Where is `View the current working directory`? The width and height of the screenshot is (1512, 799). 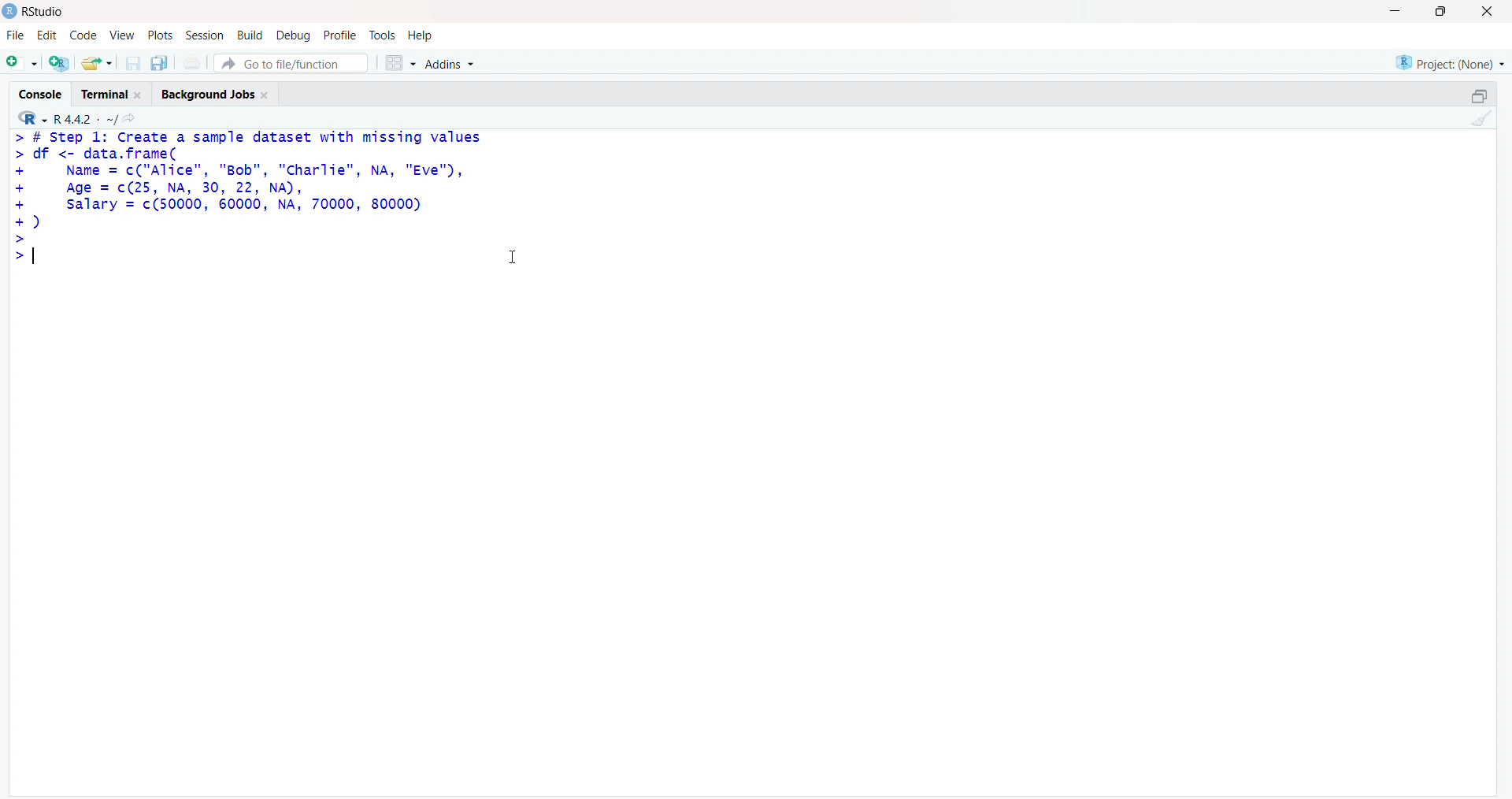
View the current working directory is located at coordinates (135, 119).